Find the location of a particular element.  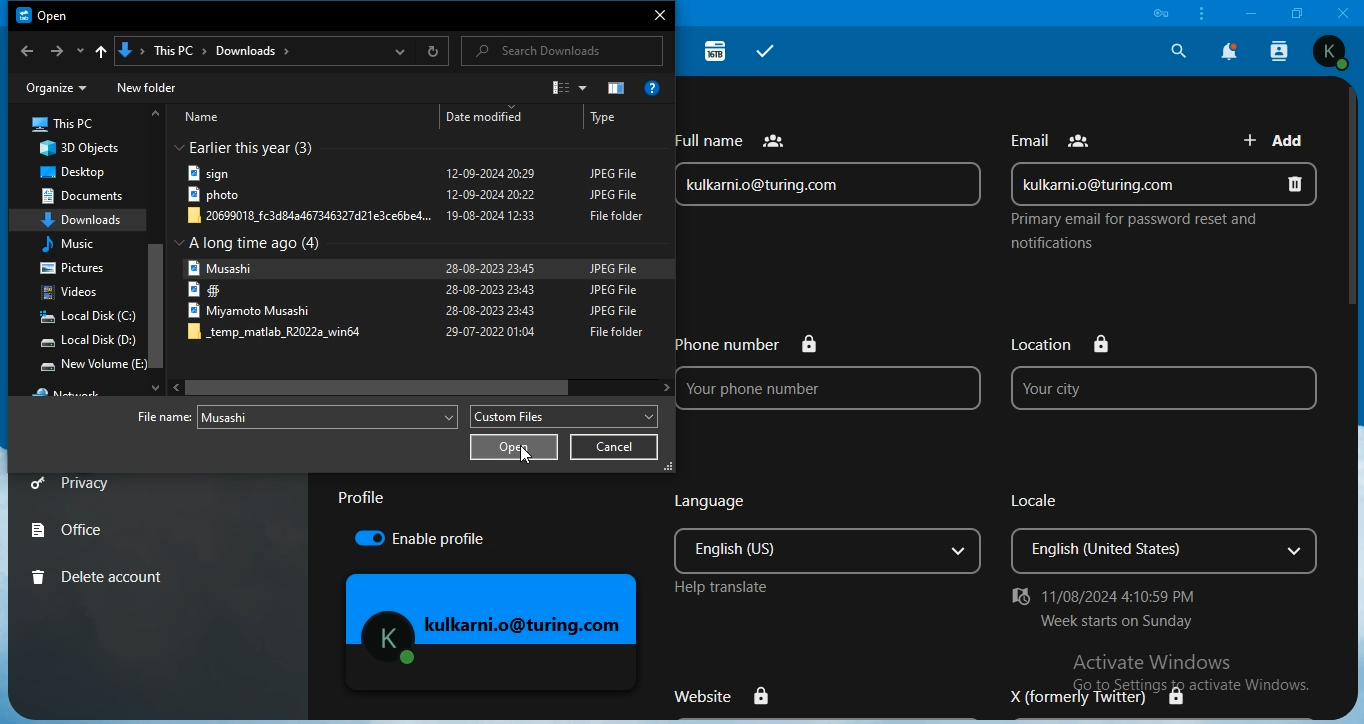

close is located at coordinates (1344, 12).